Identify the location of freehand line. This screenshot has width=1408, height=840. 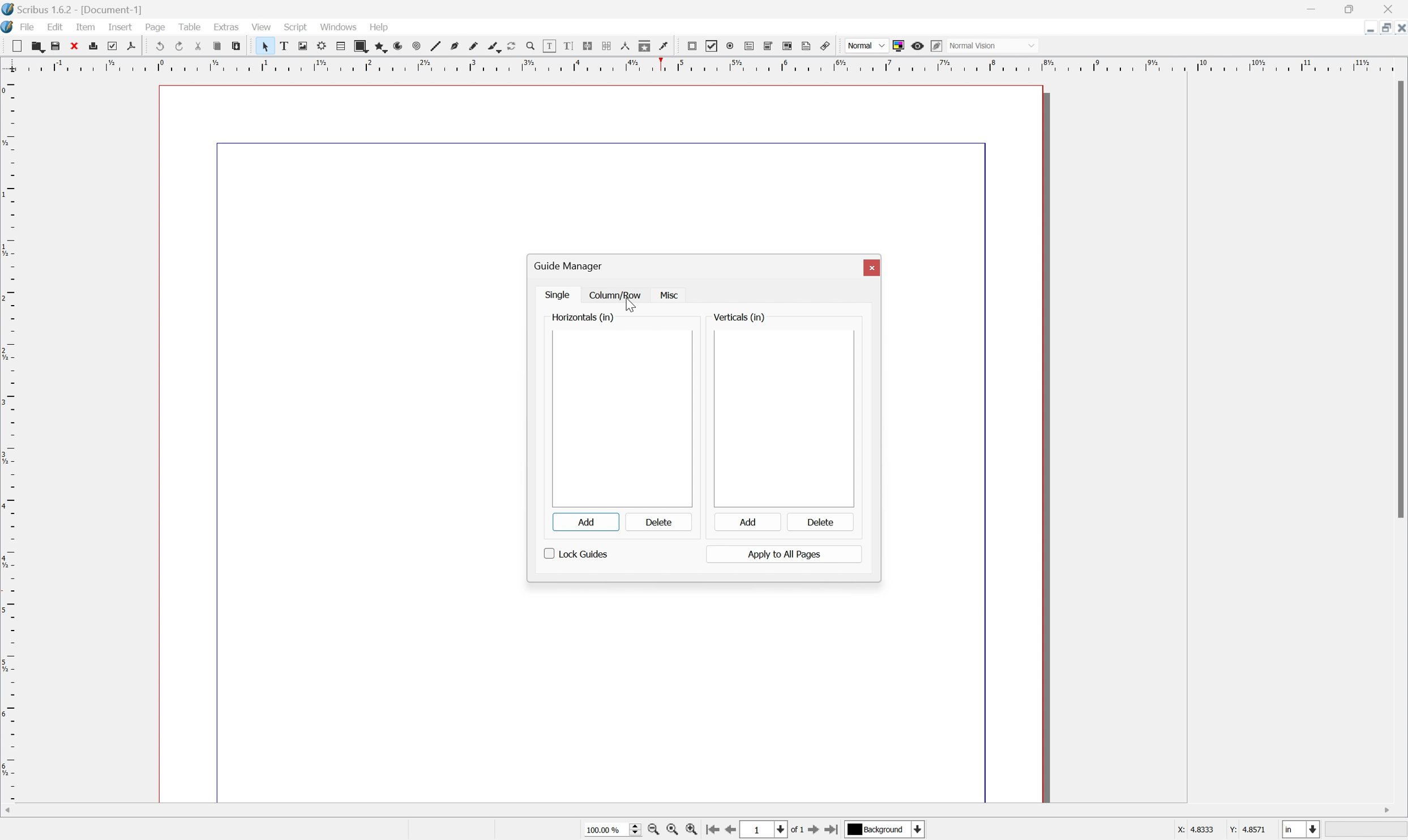
(474, 47).